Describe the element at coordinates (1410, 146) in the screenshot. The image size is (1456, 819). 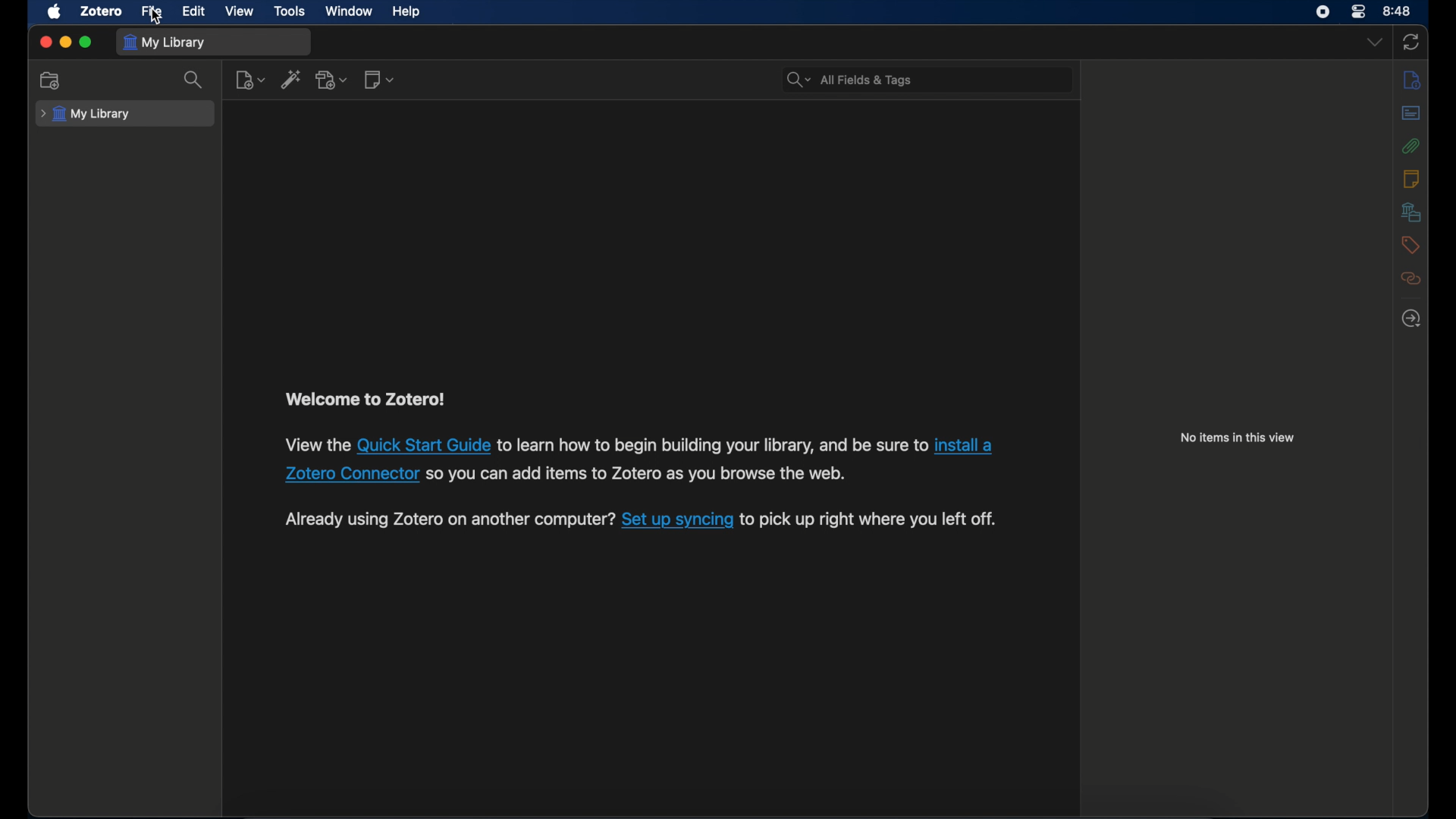
I see `attachments` at that location.